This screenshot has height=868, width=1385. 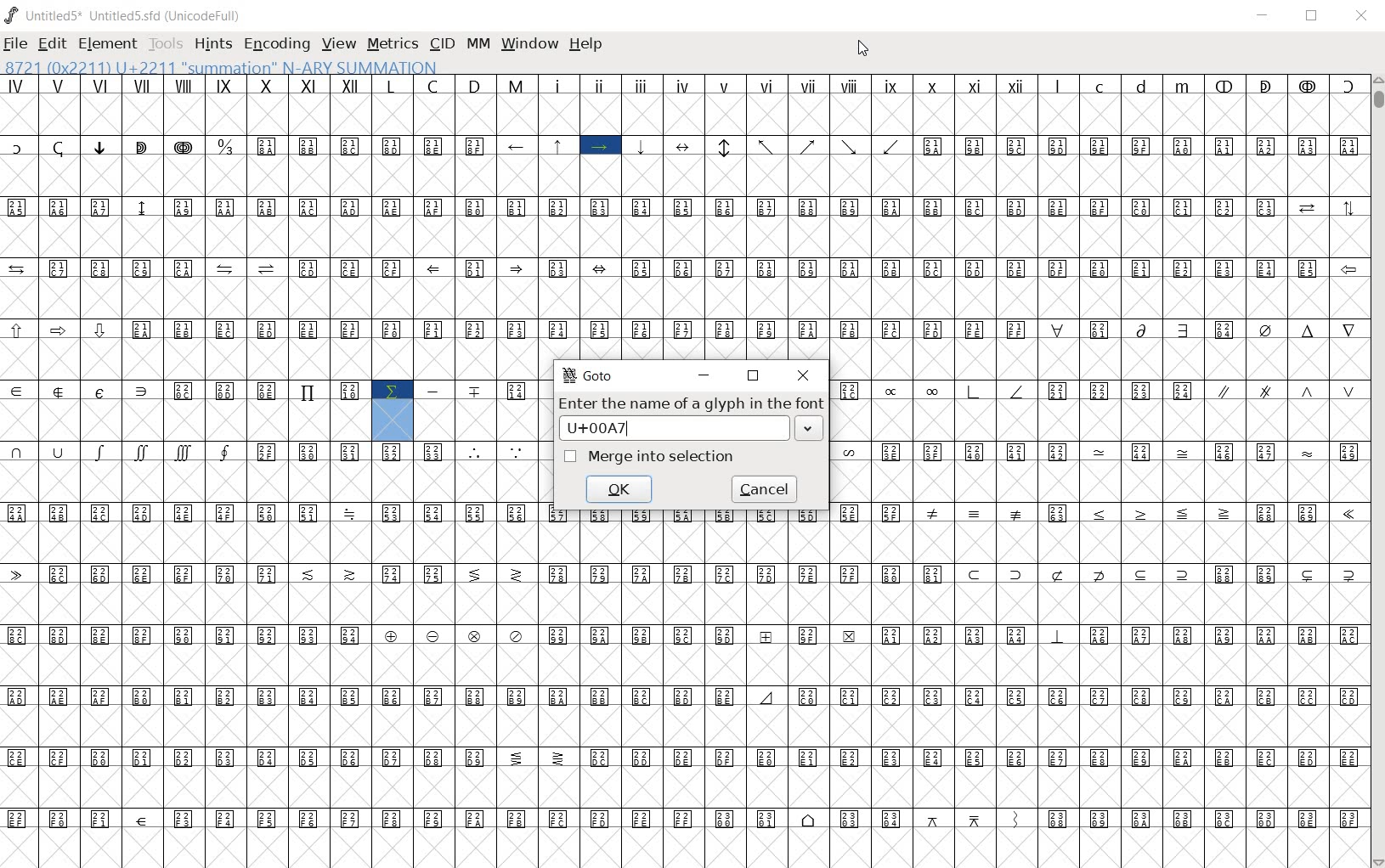 I want to click on empty cells, so click(x=481, y=419).